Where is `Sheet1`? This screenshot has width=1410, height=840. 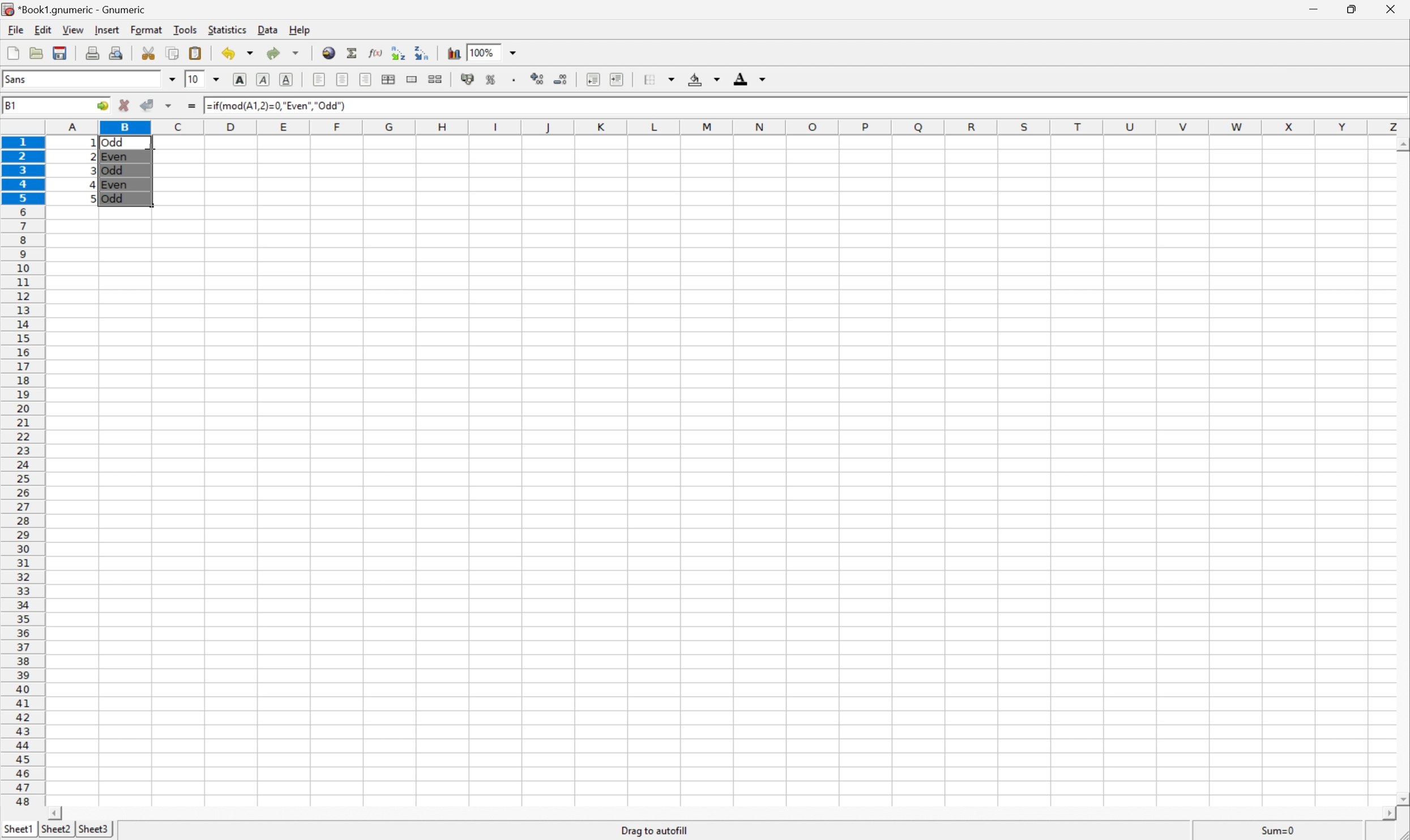 Sheet1 is located at coordinates (18, 829).